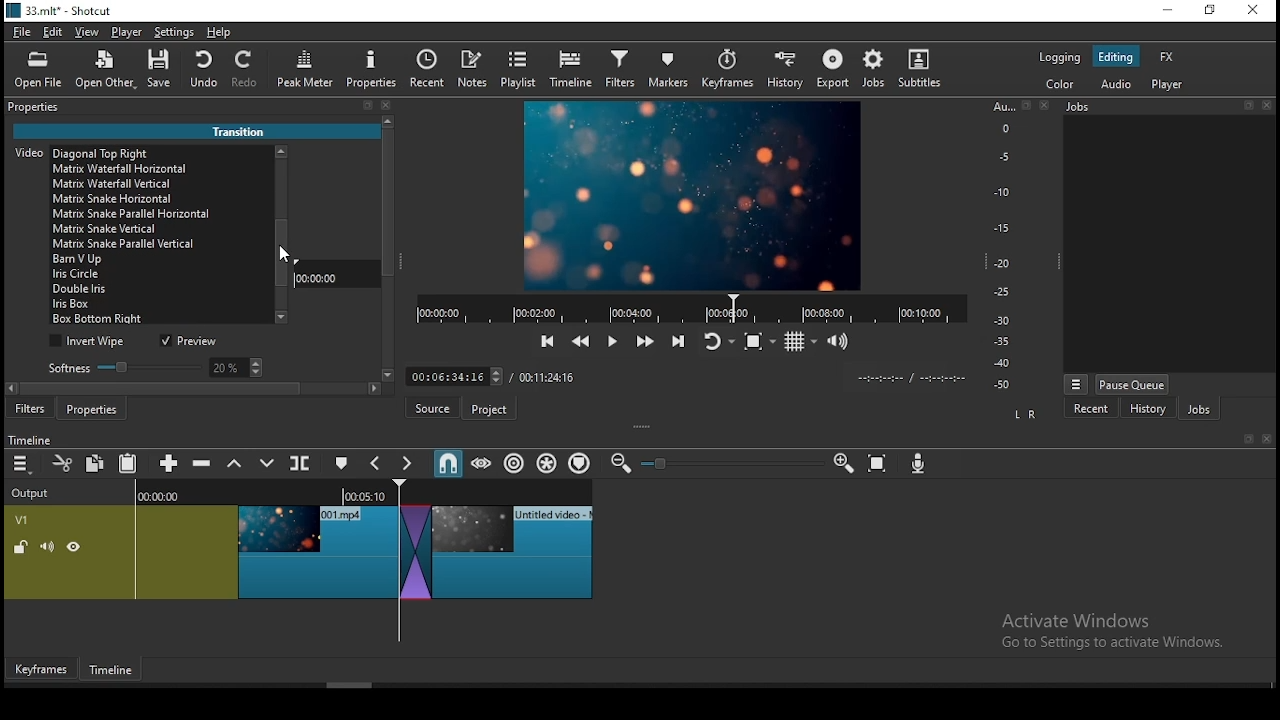 Image resolution: width=1280 pixels, height=720 pixels. I want to click on audio, so click(1117, 84).